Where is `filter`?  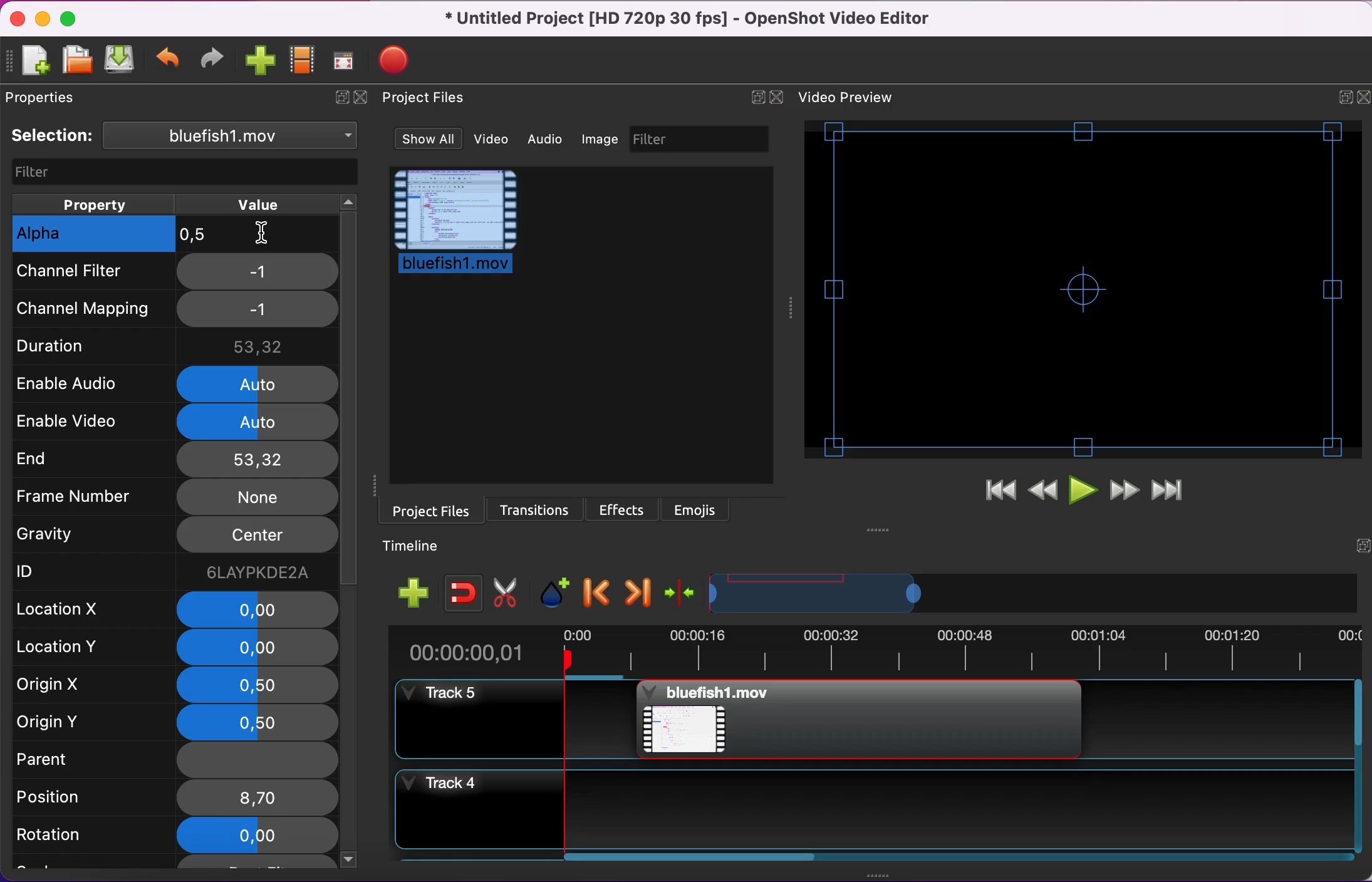 filter is located at coordinates (182, 172).